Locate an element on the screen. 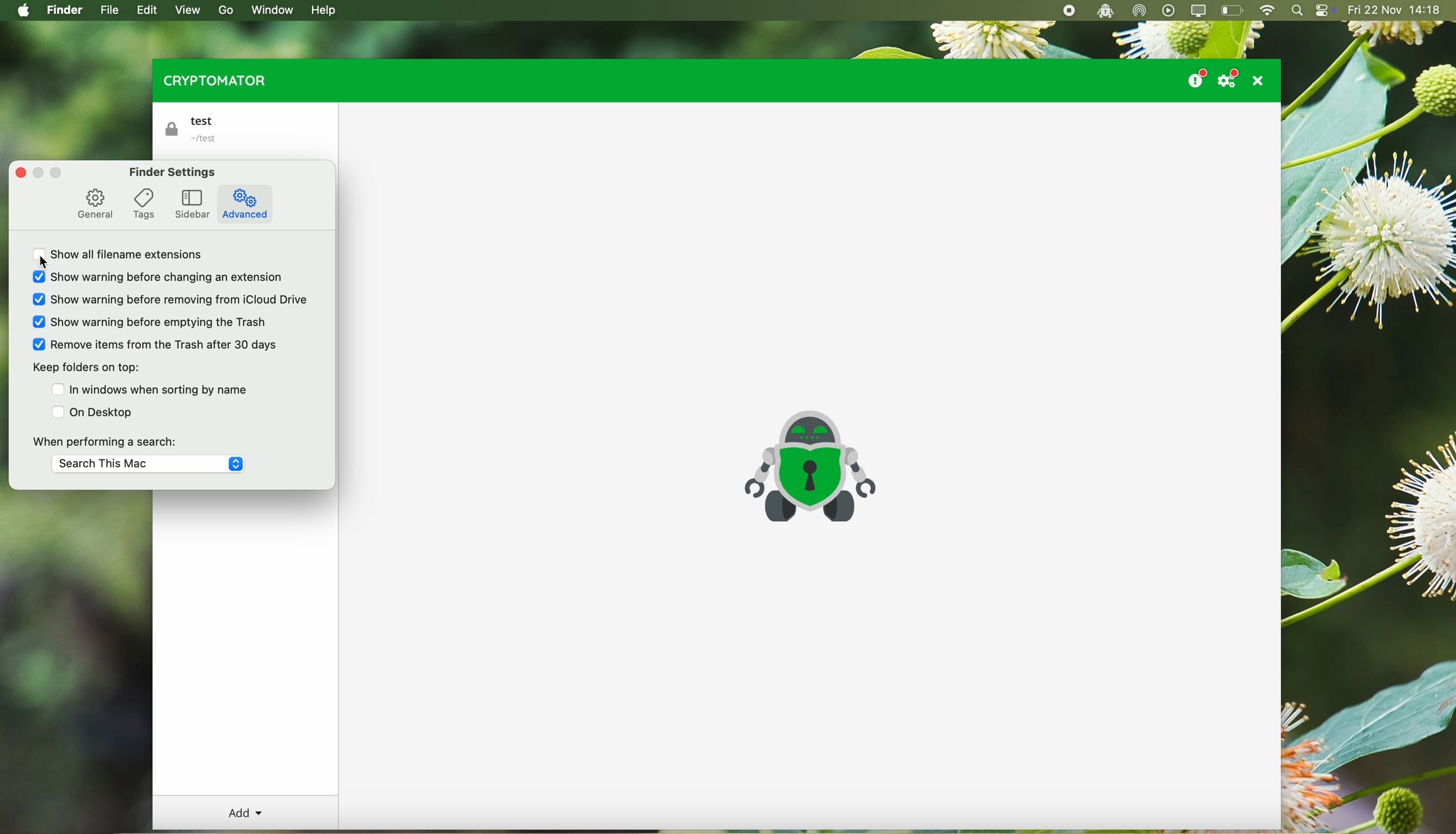 The height and width of the screenshot is (834, 1456). advanced is located at coordinates (246, 204).